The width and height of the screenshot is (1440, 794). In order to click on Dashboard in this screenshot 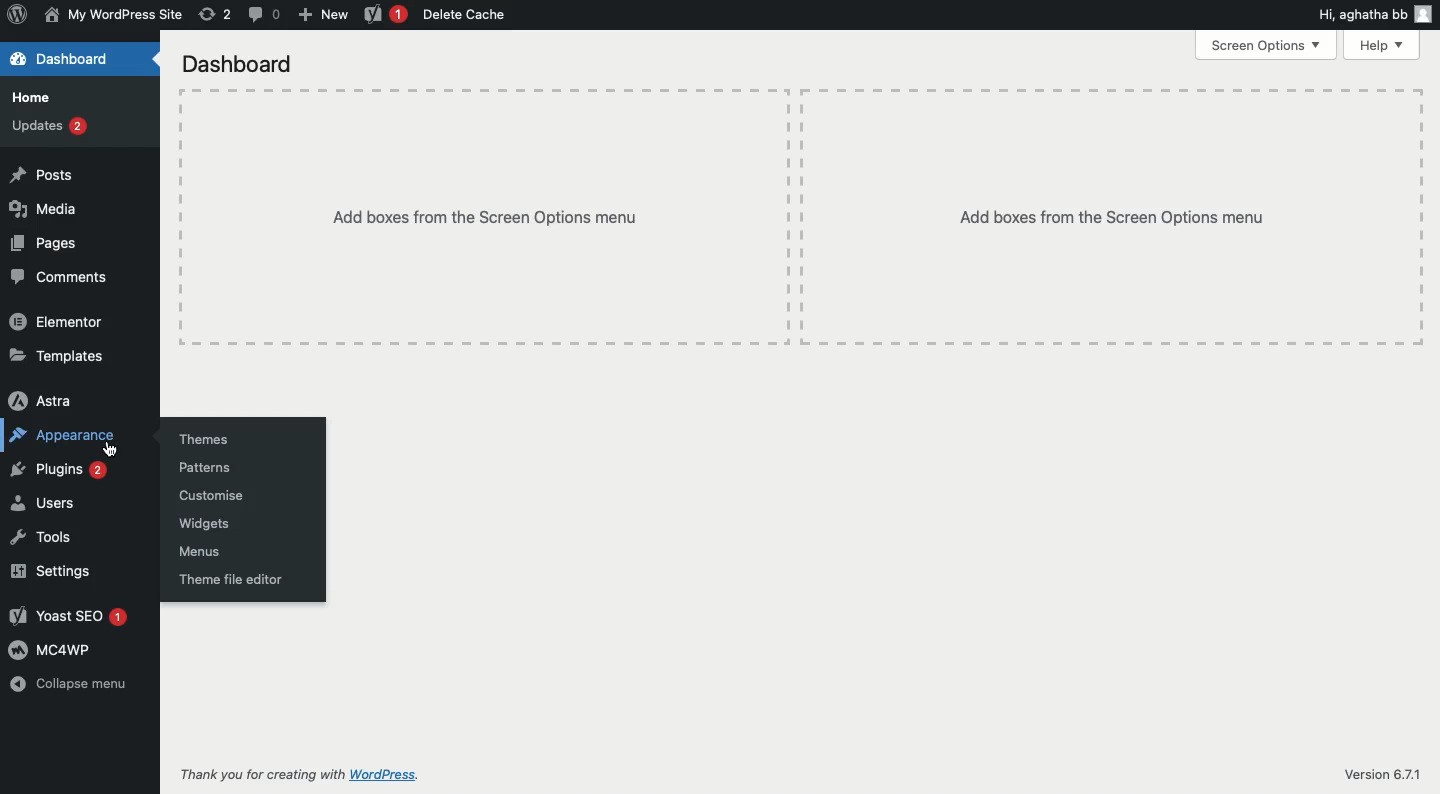, I will do `click(67, 59)`.